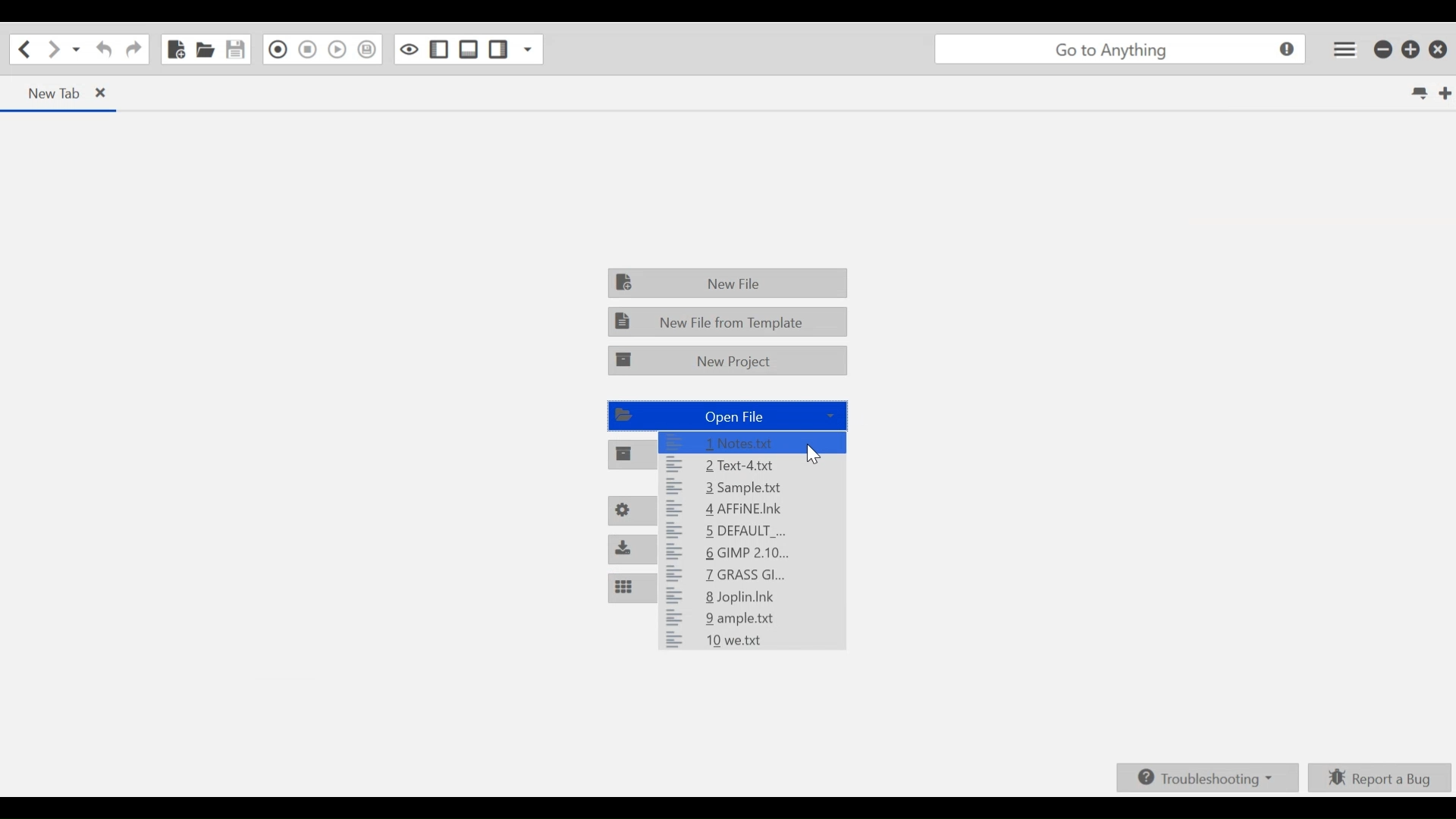 This screenshot has width=1456, height=819. I want to click on 7 GRASS GI..., so click(752, 573).